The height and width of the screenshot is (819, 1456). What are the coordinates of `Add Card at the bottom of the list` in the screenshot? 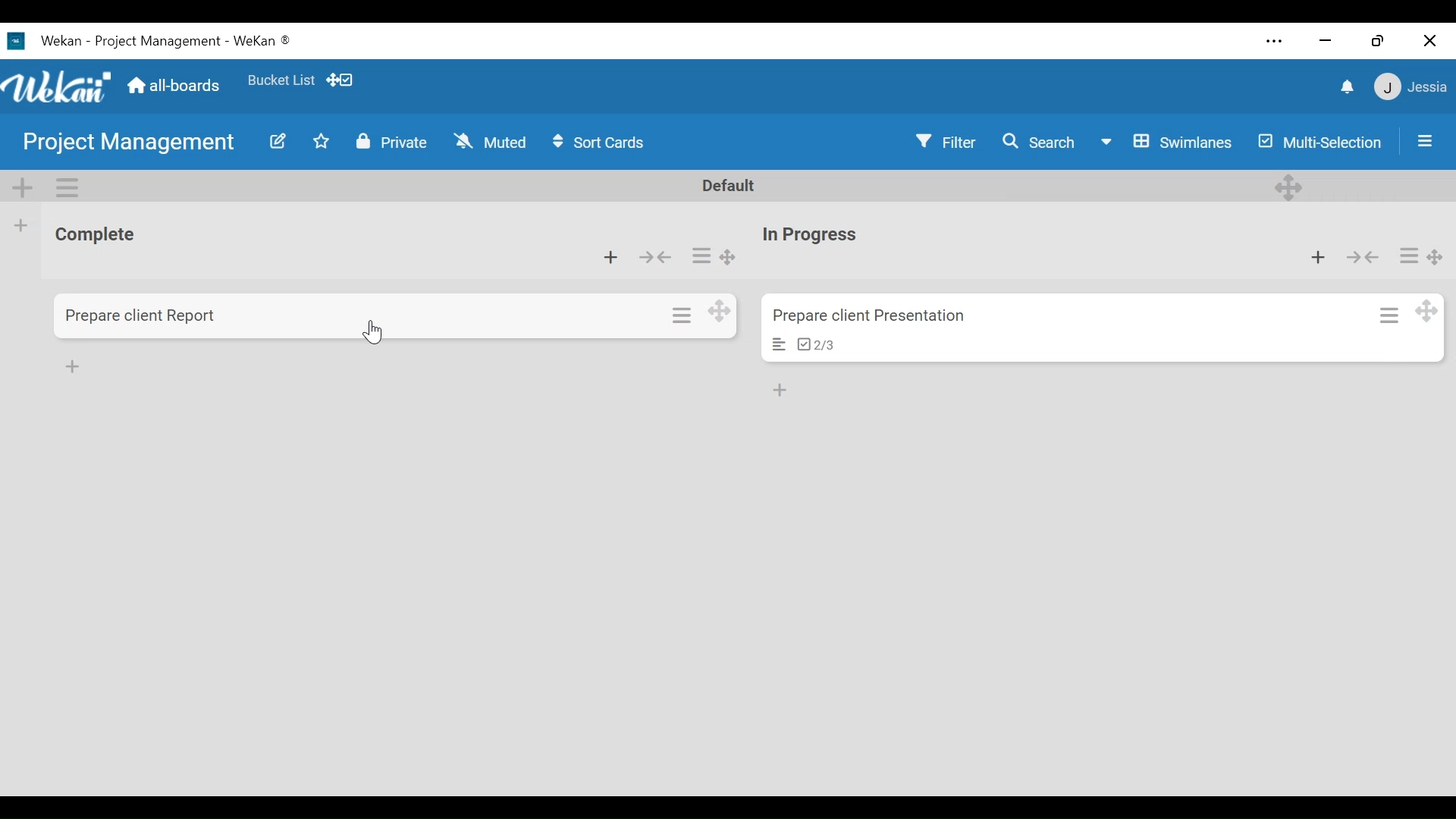 It's located at (72, 365).